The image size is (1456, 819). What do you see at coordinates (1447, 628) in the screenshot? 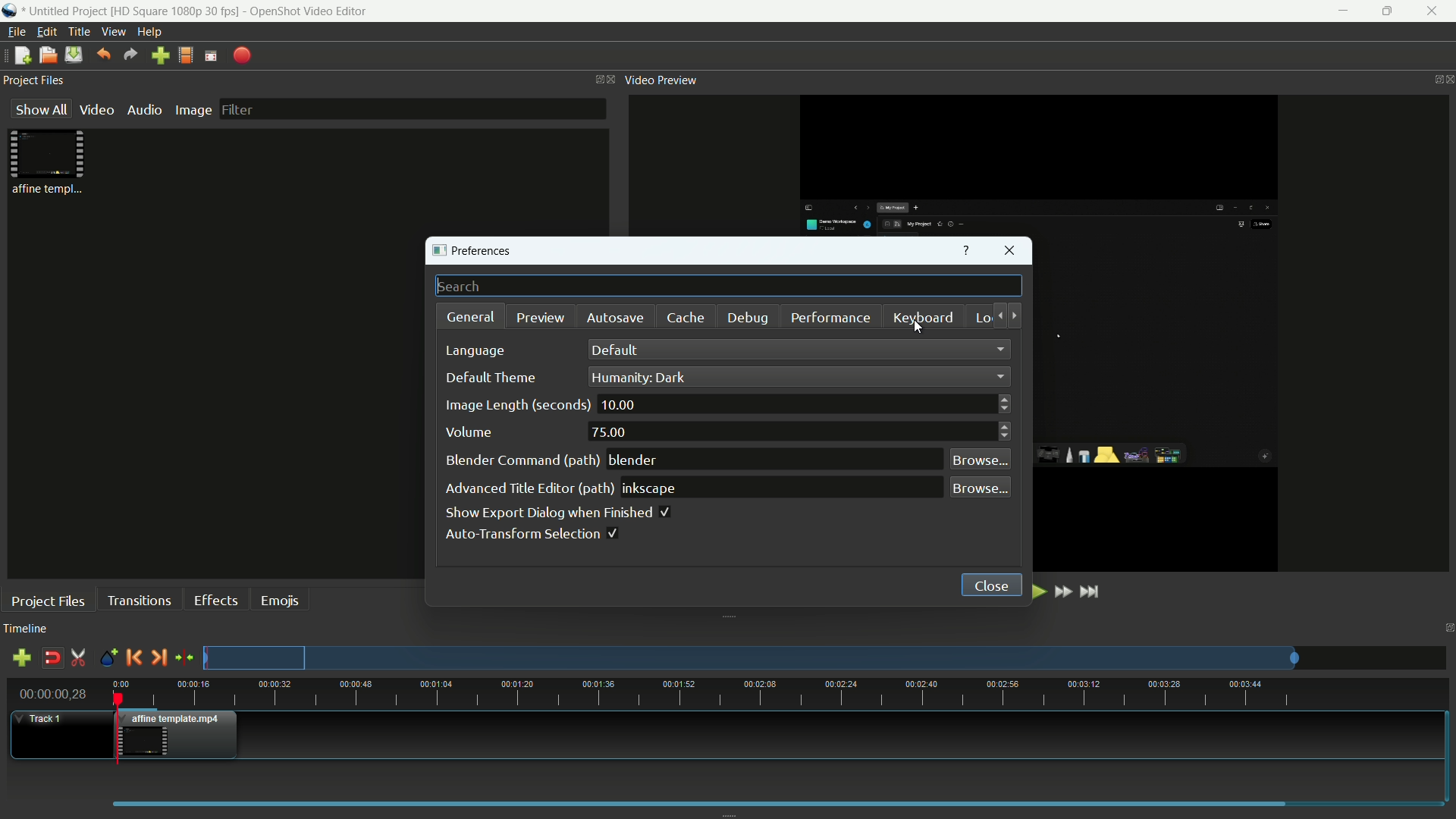
I see `close timeline` at bounding box center [1447, 628].